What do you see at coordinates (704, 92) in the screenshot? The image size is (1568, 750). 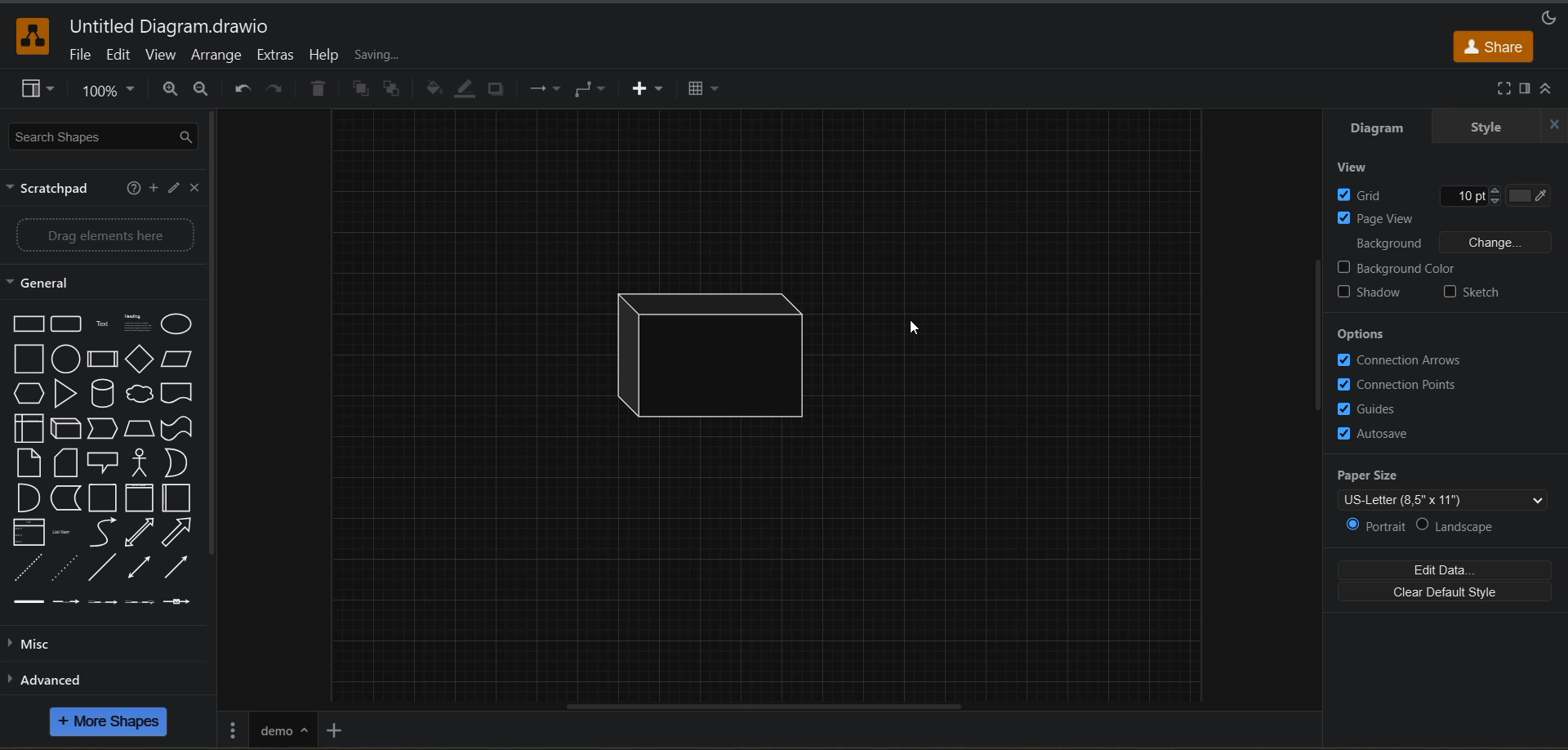 I see `table` at bounding box center [704, 92].